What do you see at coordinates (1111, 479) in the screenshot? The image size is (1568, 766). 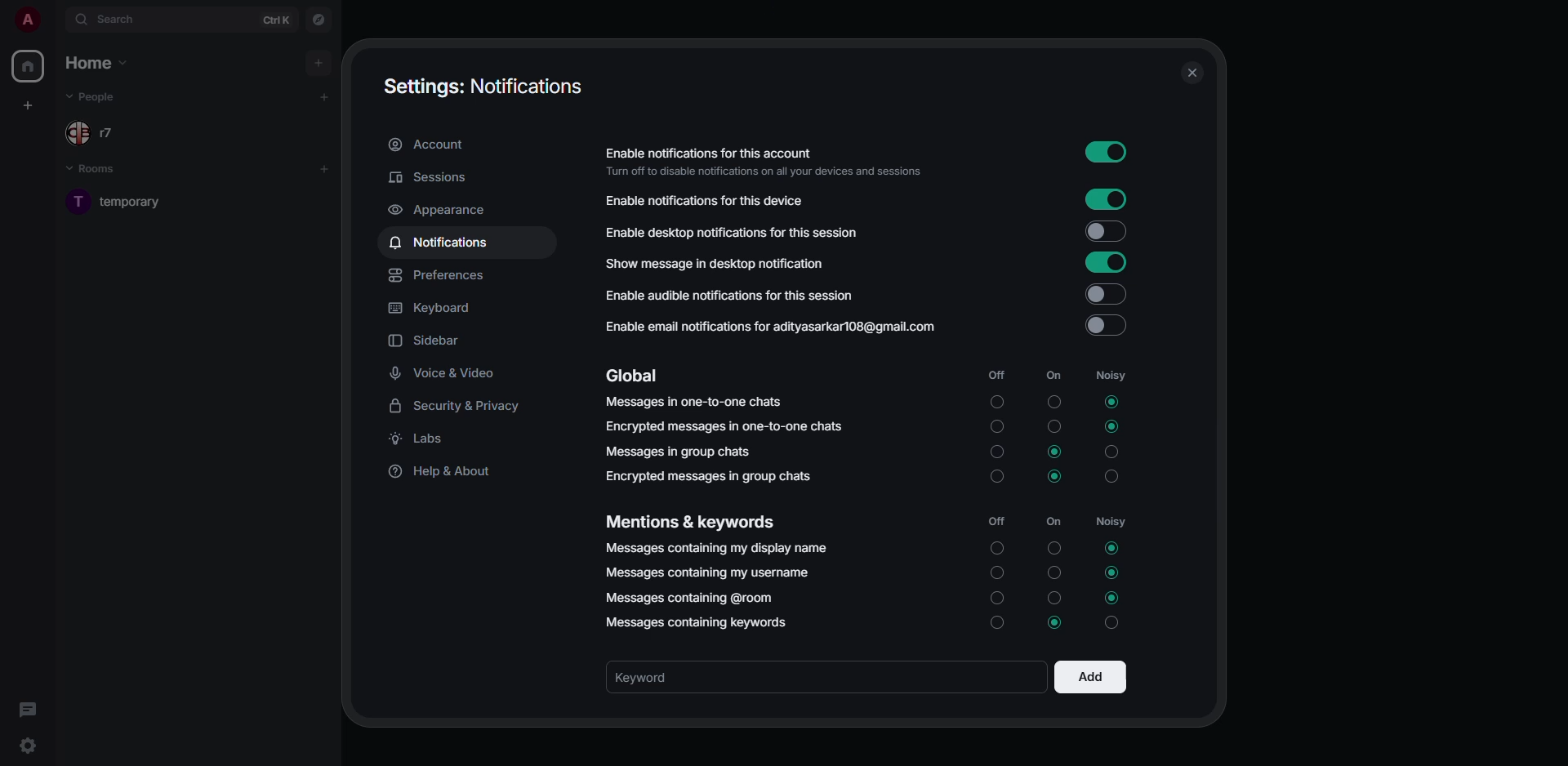 I see `noisy` at bounding box center [1111, 479].